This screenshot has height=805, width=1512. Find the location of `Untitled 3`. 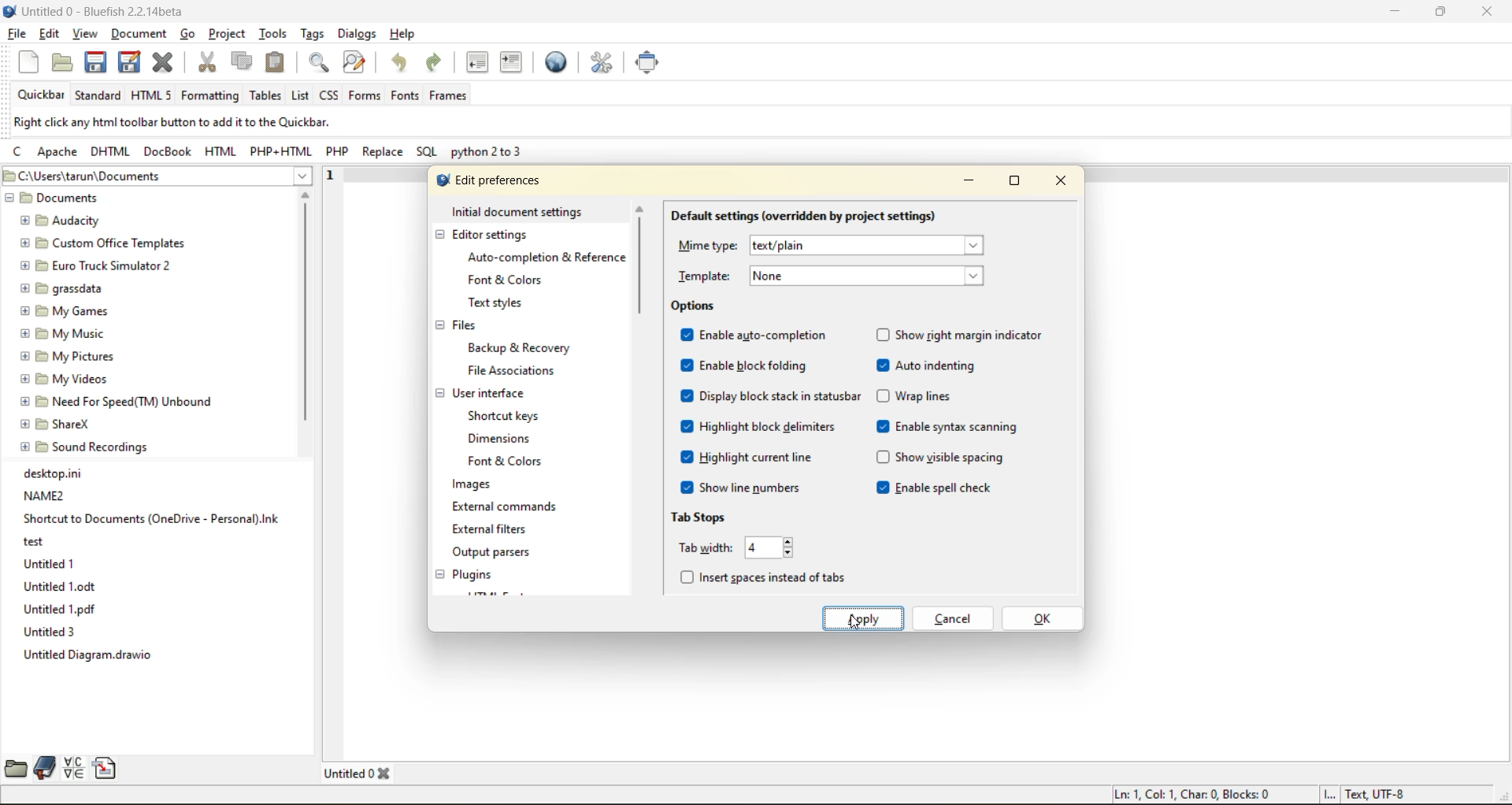

Untitled 3 is located at coordinates (50, 632).